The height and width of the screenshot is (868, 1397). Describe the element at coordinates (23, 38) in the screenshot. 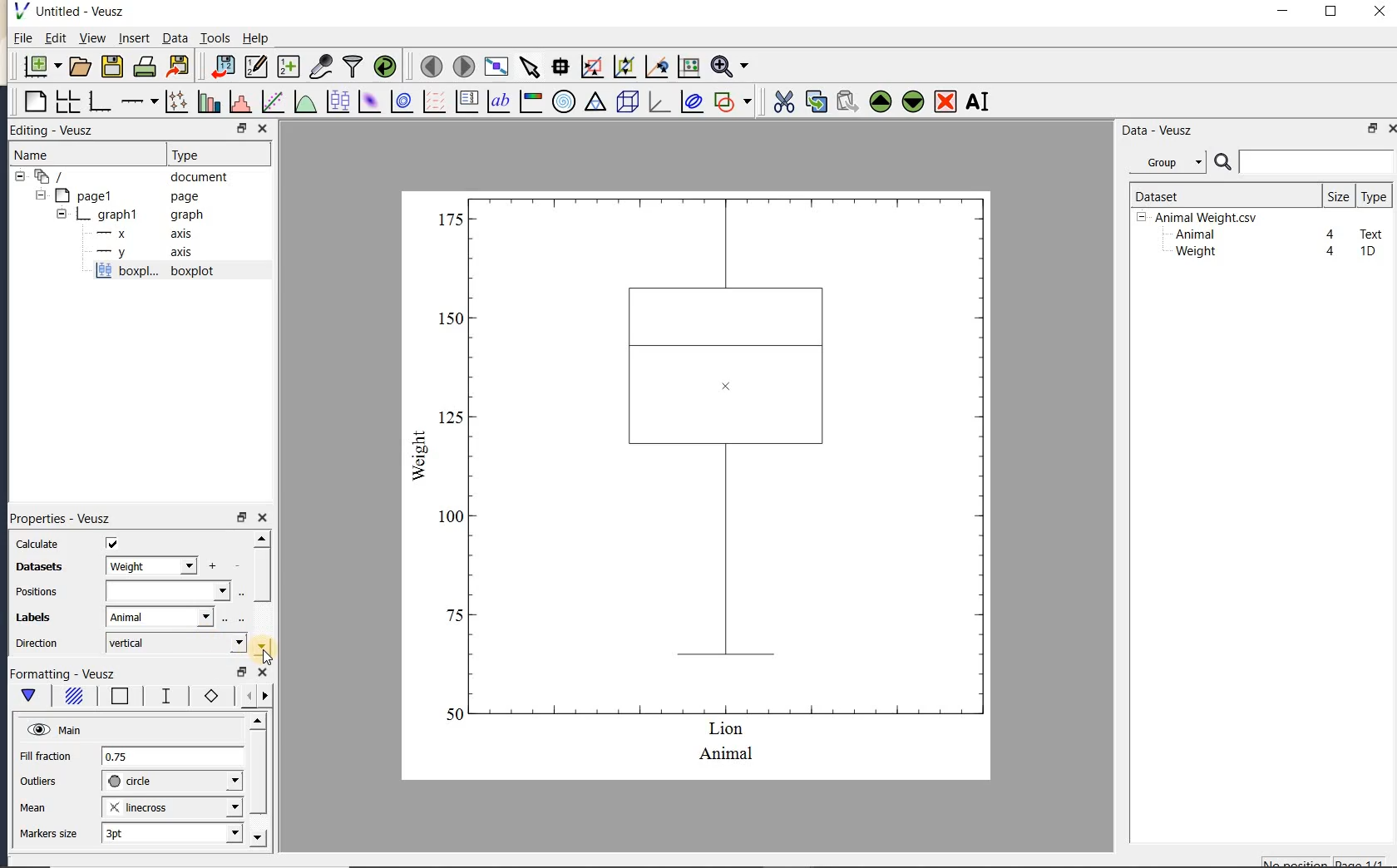

I see `File` at that location.